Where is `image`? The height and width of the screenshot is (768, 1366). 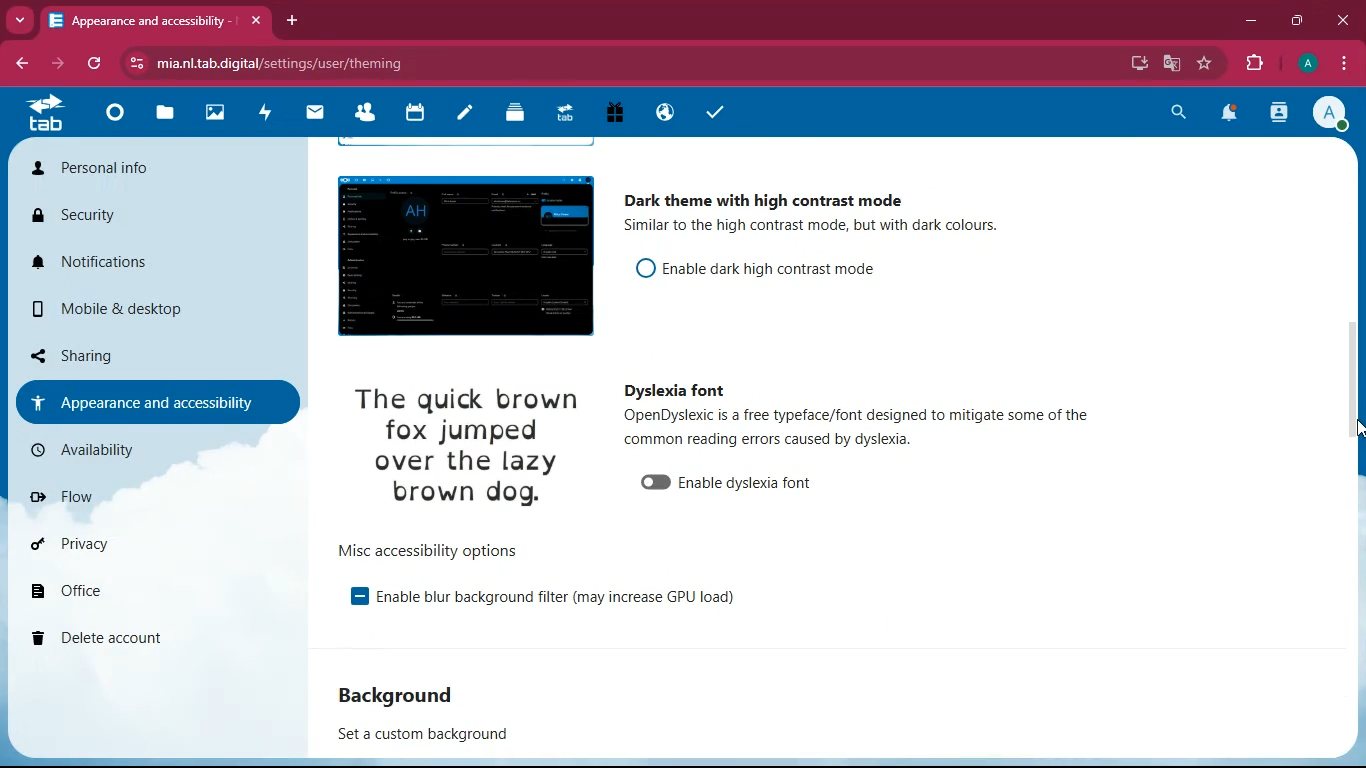
image is located at coordinates (461, 449).